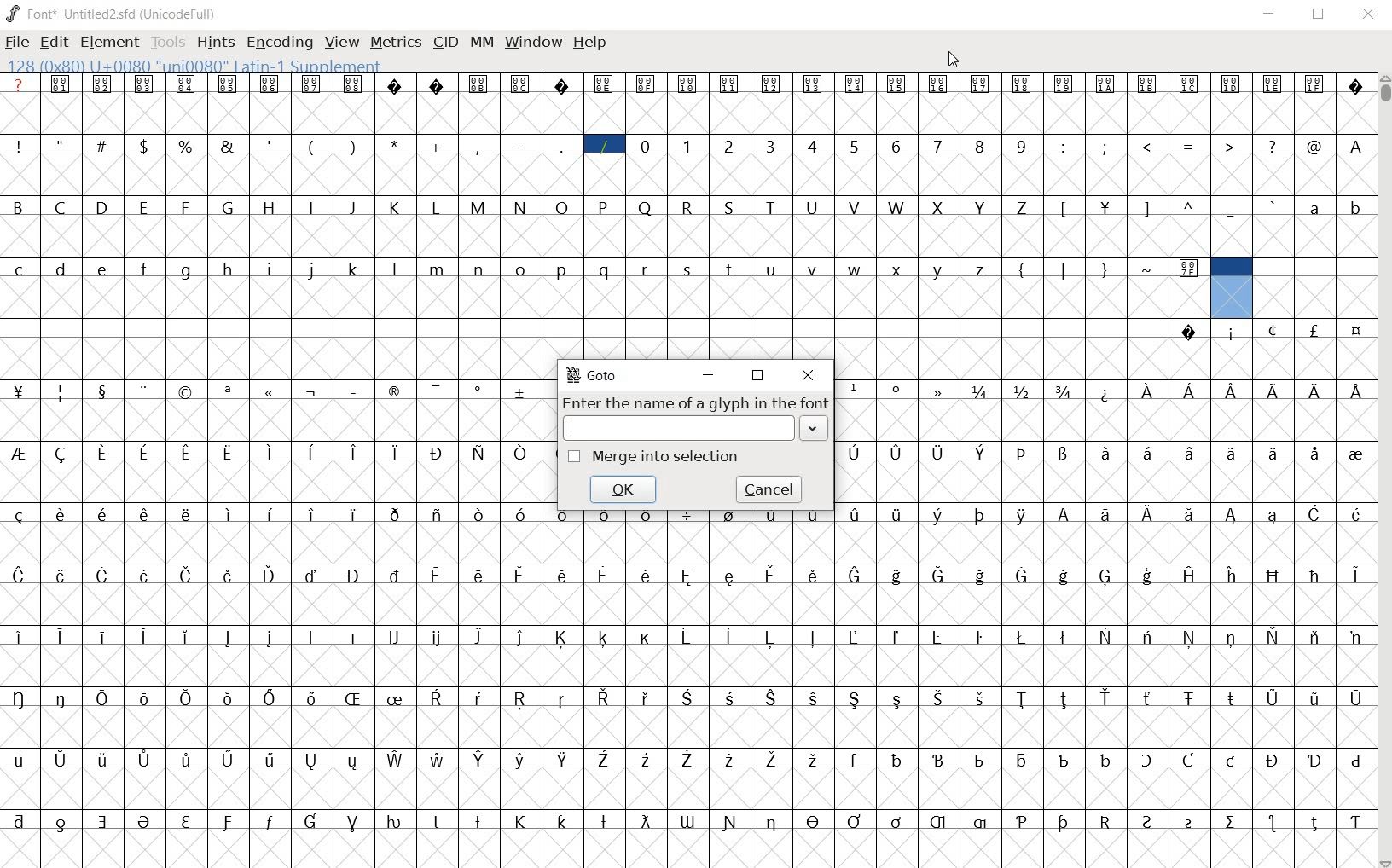 The image size is (1392, 868). I want to click on Symbol, so click(229, 820).